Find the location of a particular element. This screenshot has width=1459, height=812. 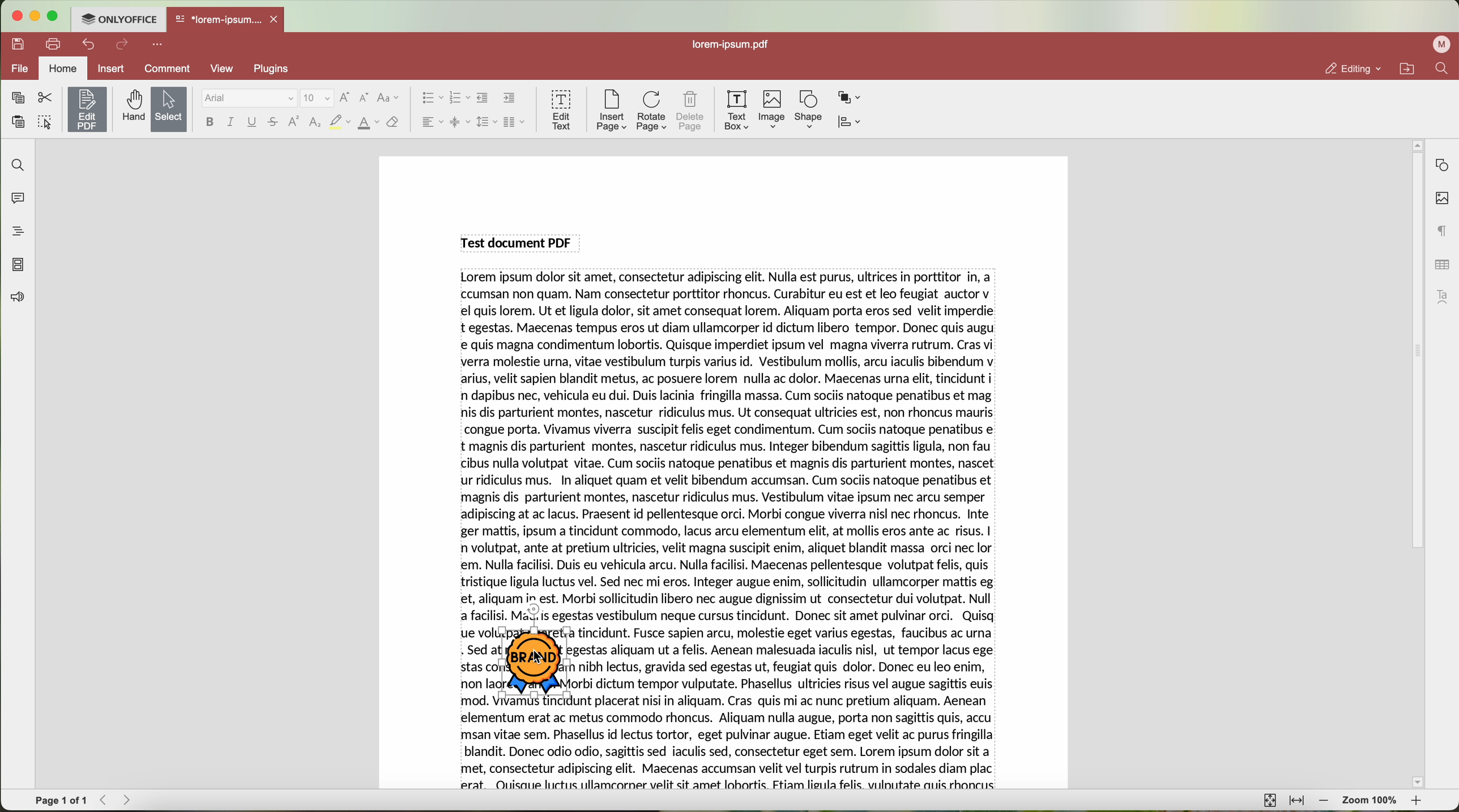

profile is located at coordinates (1444, 44).